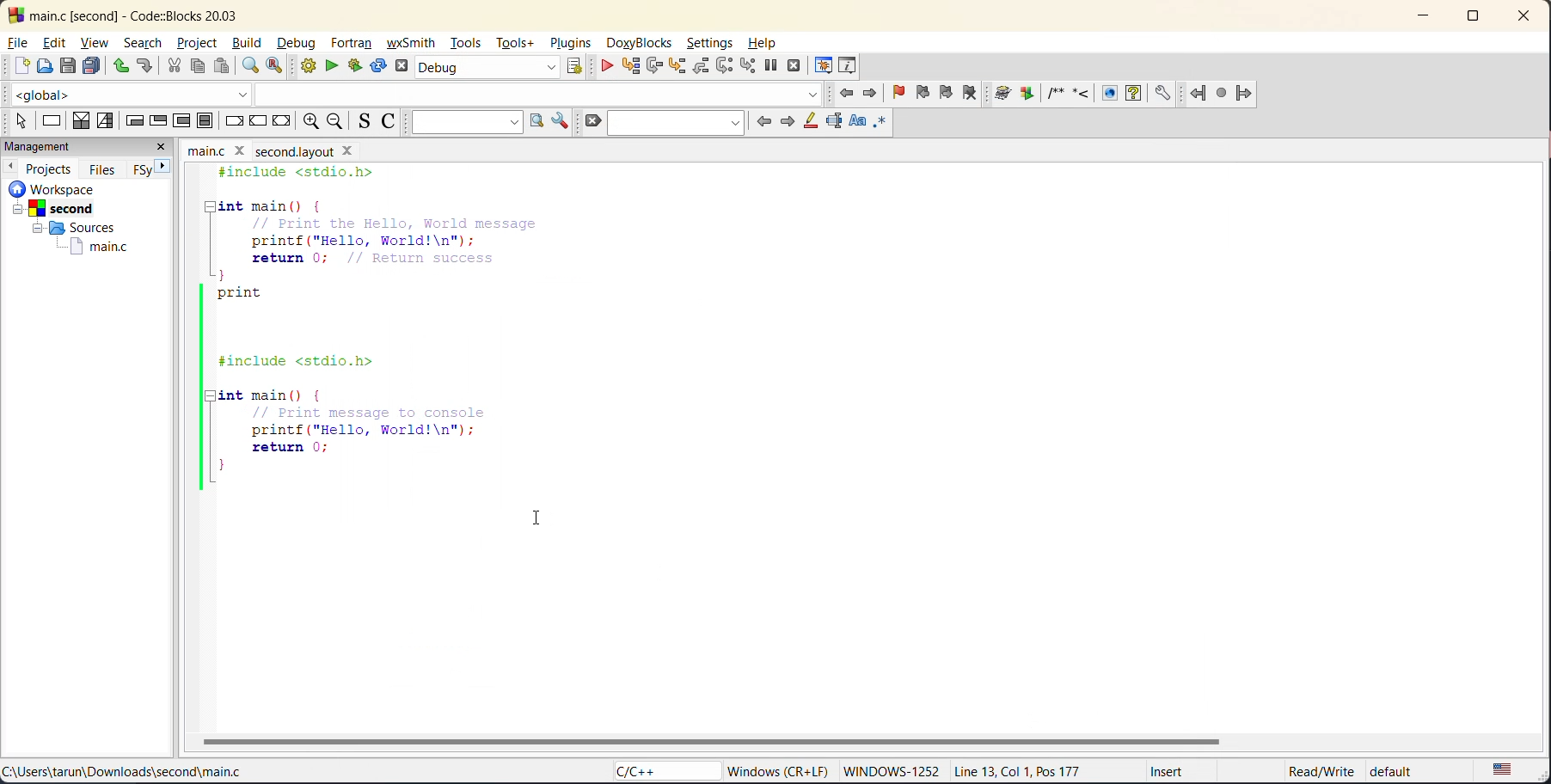 This screenshot has width=1551, height=784. I want to click on run search, so click(533, 121).